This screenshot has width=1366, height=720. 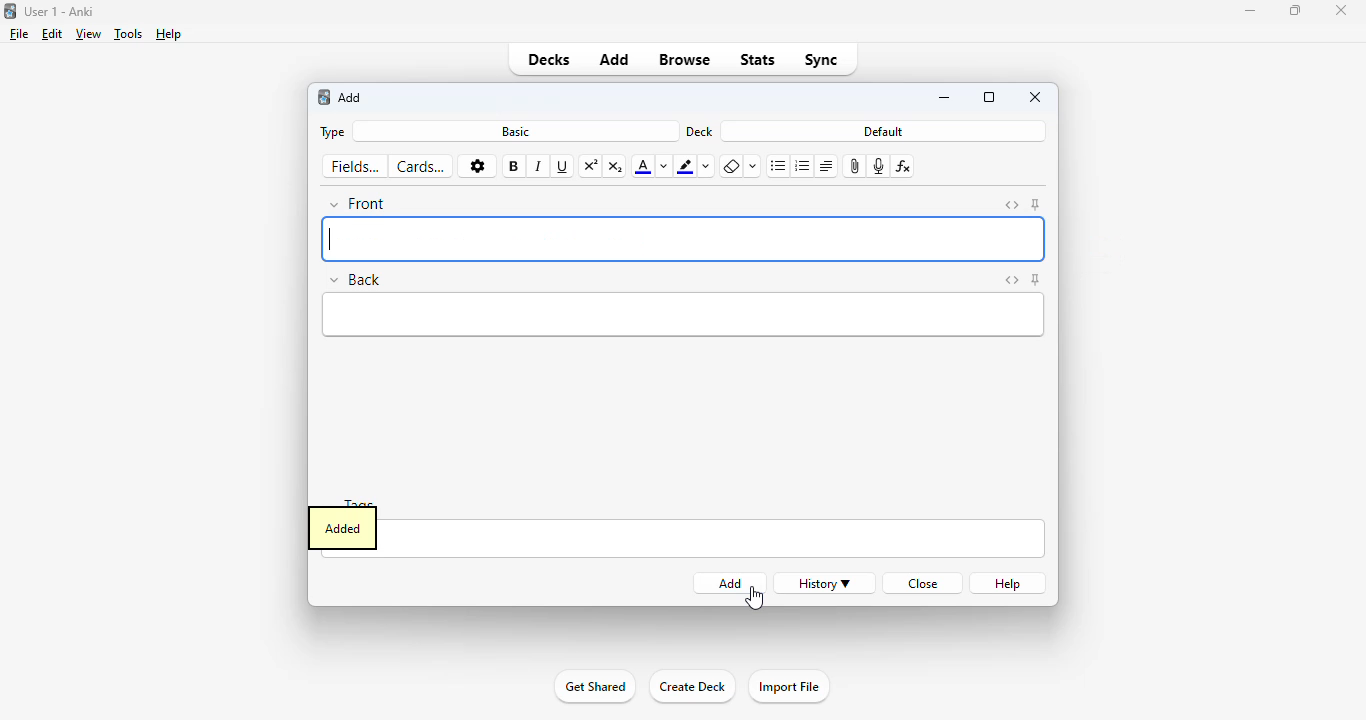 I want to click on superscript, so click(x=591, y=167).